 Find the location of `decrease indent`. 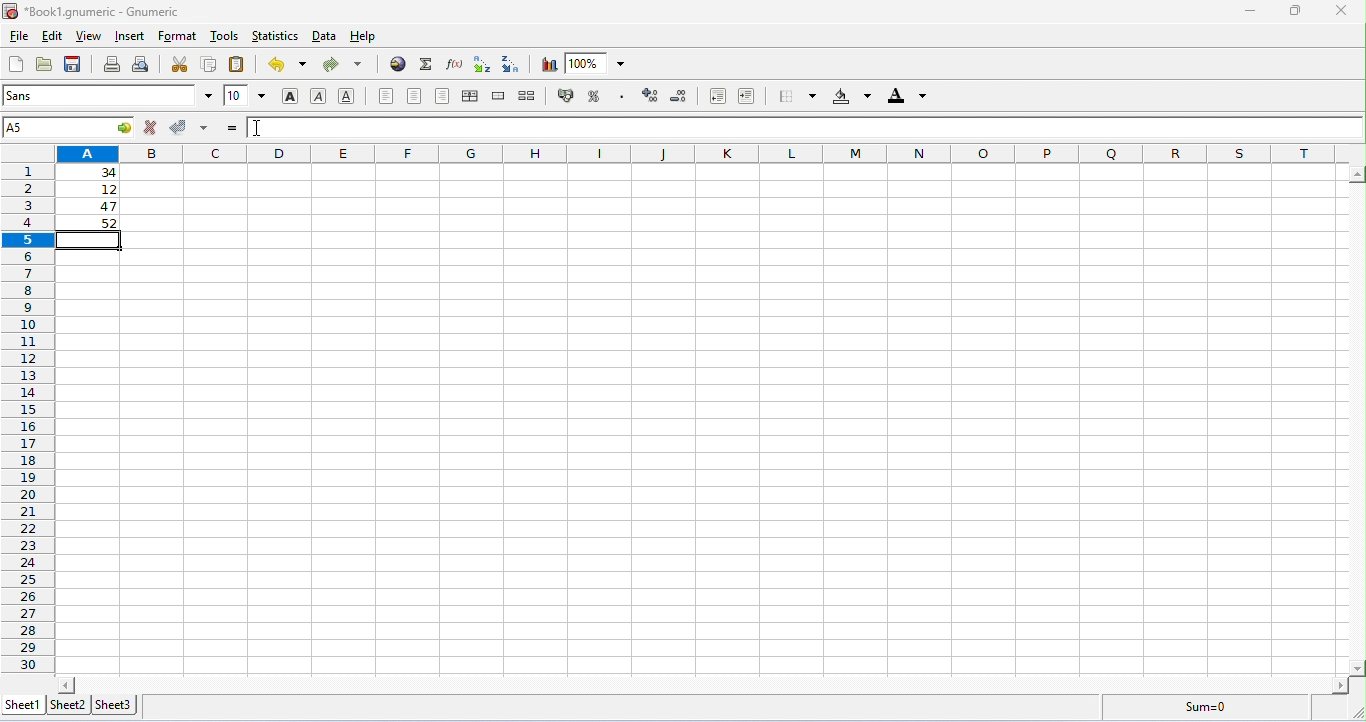

decrease indent is located at coordinates (747, 95).